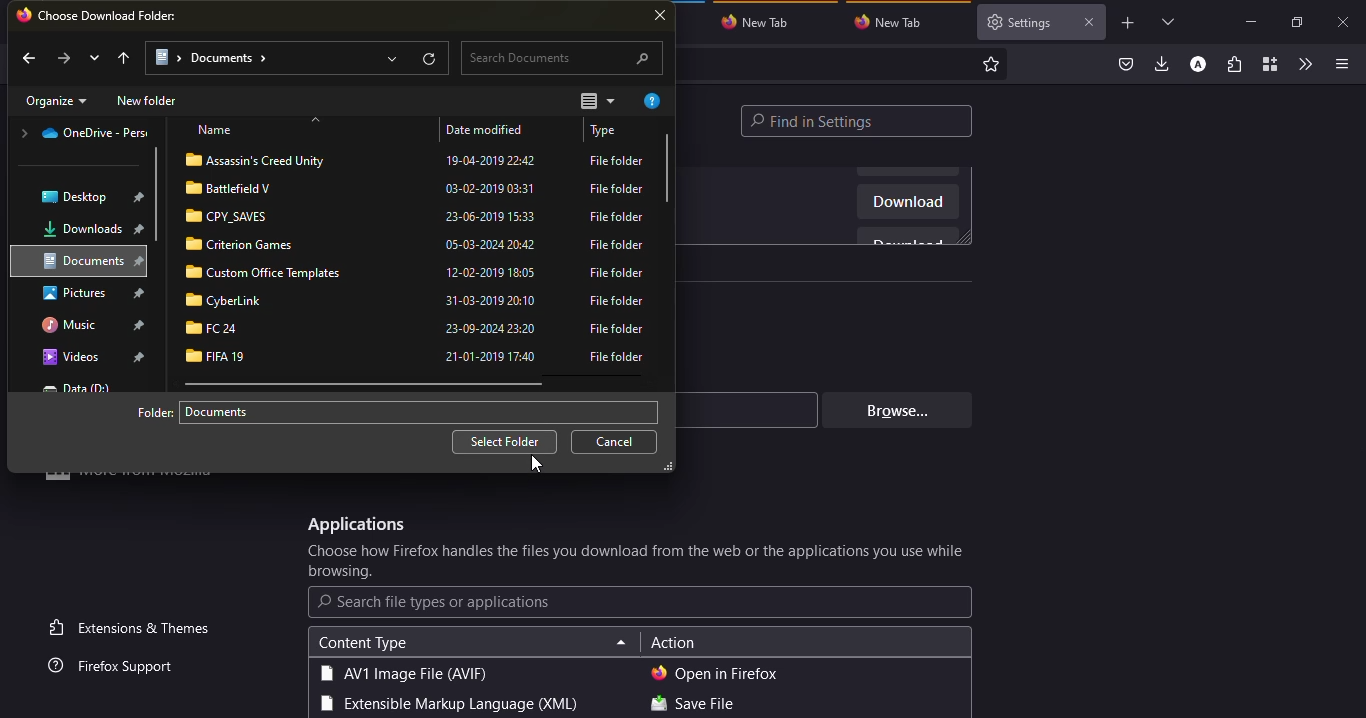 Image resolution: width=1366 pixels, height=718 pixels. What do you see at coordinates (1088, 22) in the screenshot?
I see `close` at bounding box center [1088, 22].